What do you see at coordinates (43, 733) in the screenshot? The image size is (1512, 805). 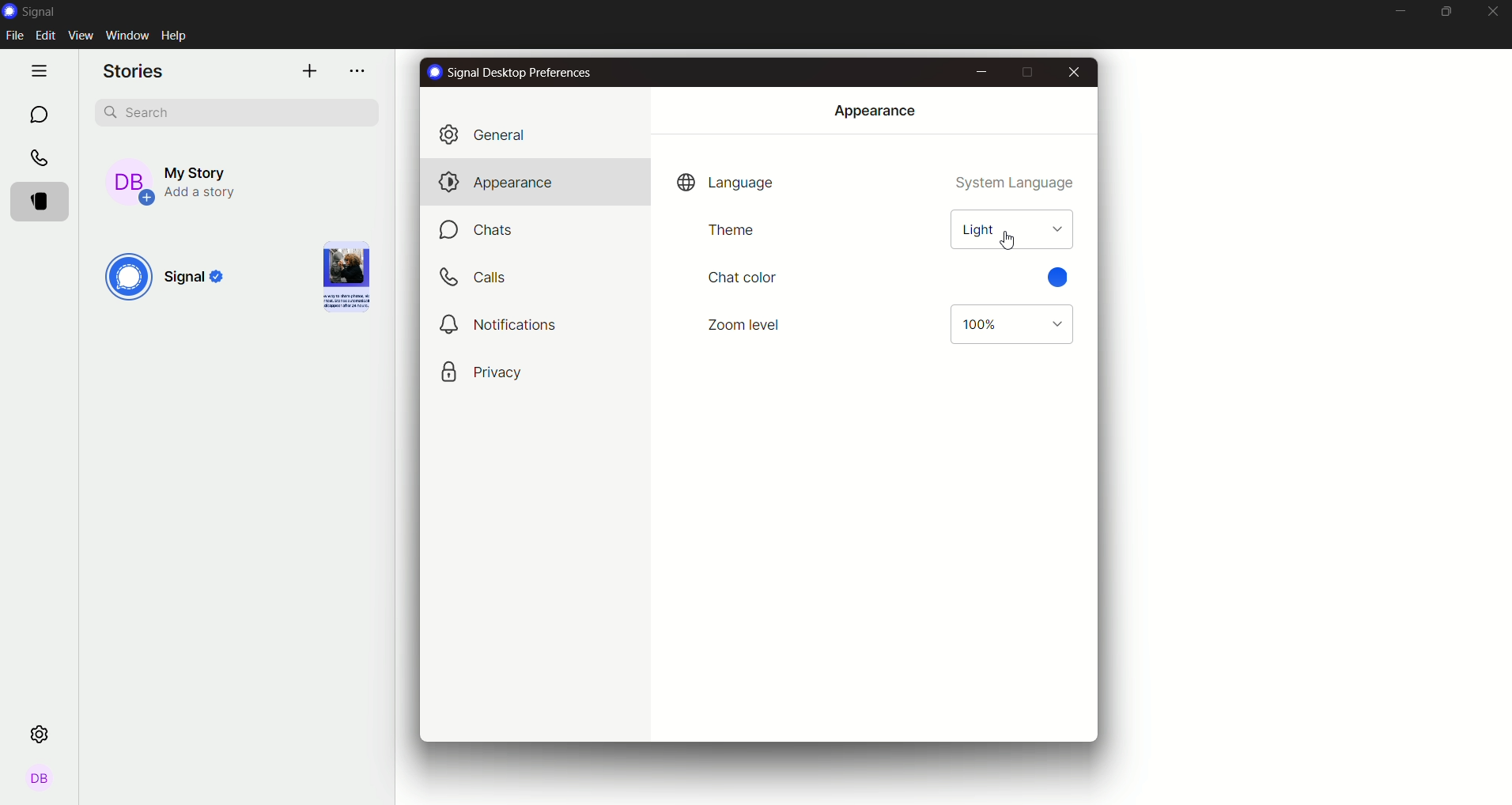 I see `settings` at bounding box center [43, 733].